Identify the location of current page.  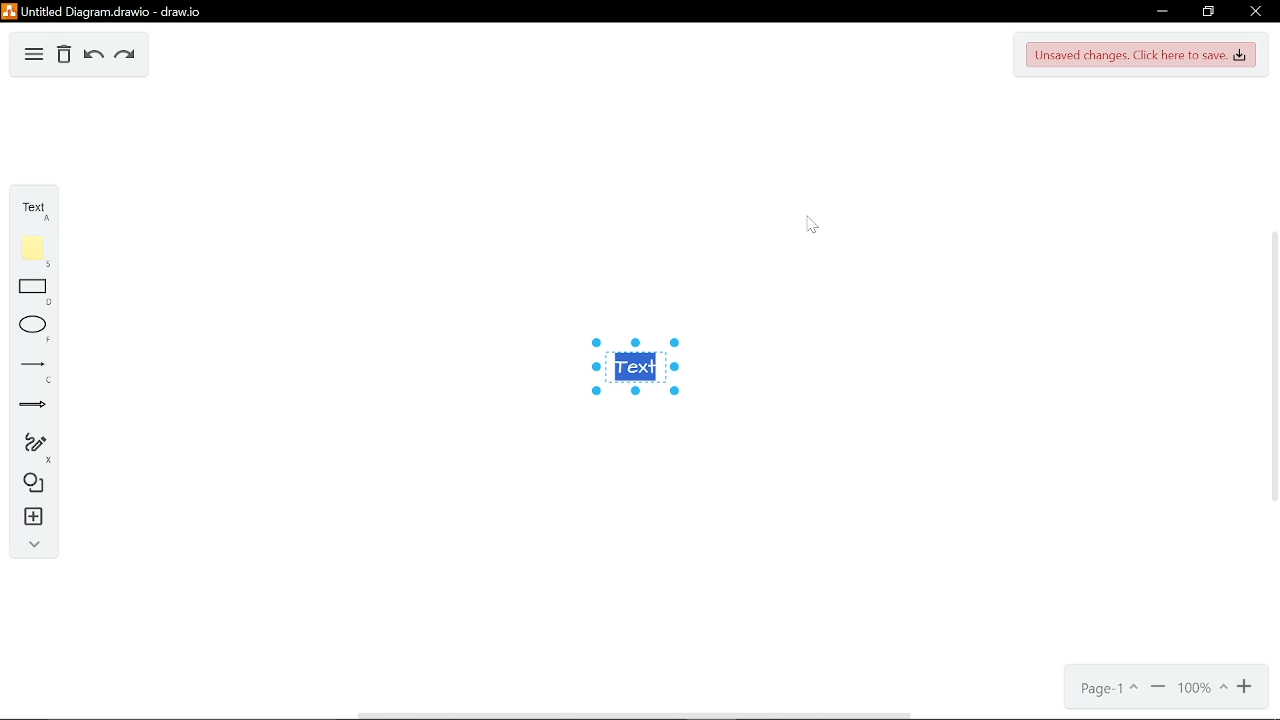
(1109, 689).